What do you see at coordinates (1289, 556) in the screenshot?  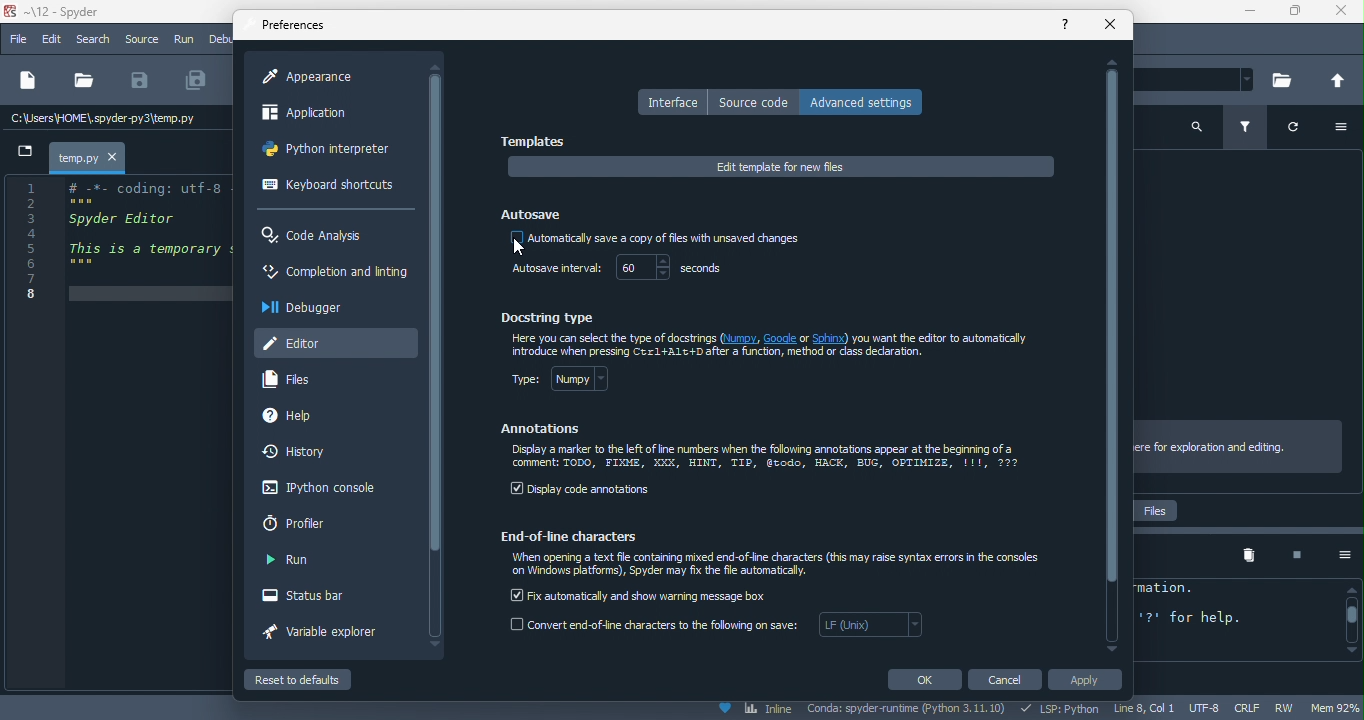 I see `interrupt kenel` at bounding box center [1289, 556].